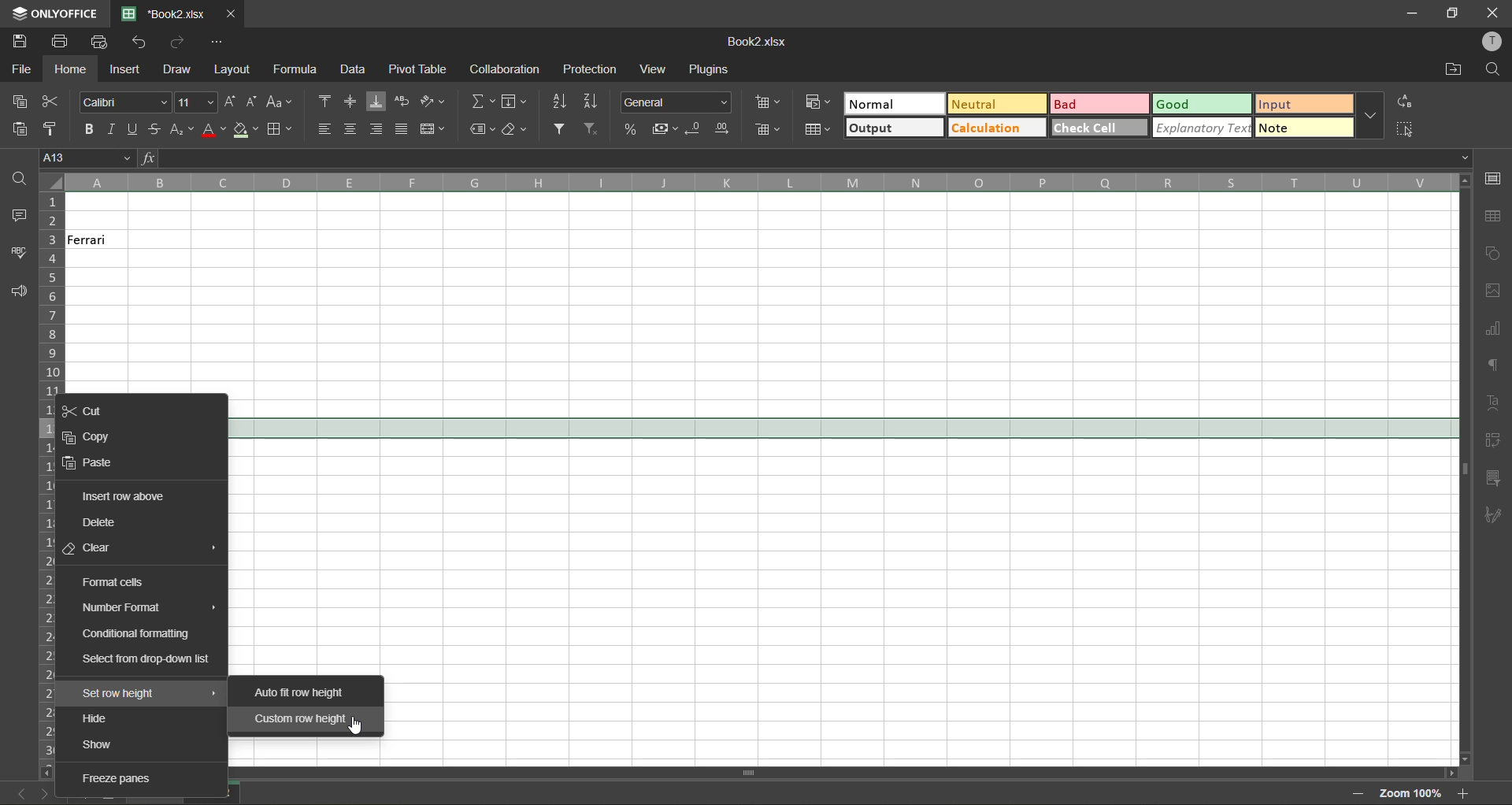 The height and width of the screenshot is (805, 1512). What do you see at coordinates (147, 695) in the screenshot?
I see `set row height` at bounding box center [147, 695].